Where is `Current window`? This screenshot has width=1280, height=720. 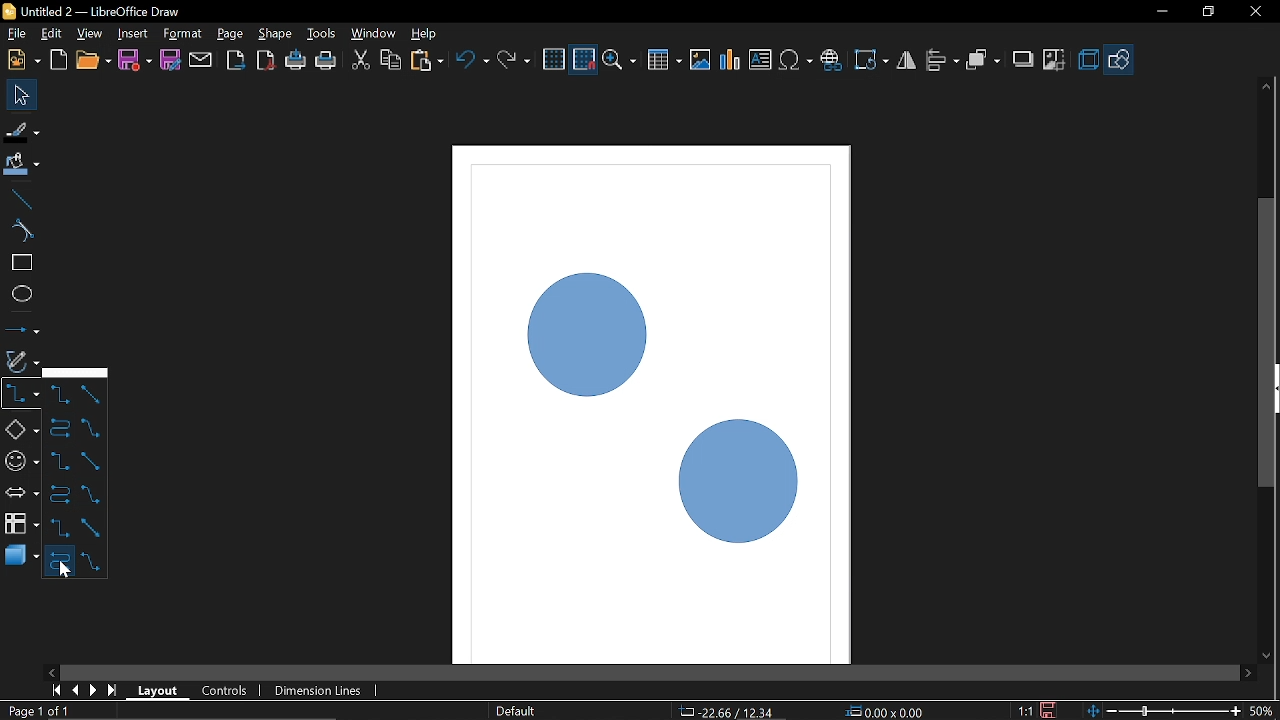
Current window is located at coordinates (92, 11).